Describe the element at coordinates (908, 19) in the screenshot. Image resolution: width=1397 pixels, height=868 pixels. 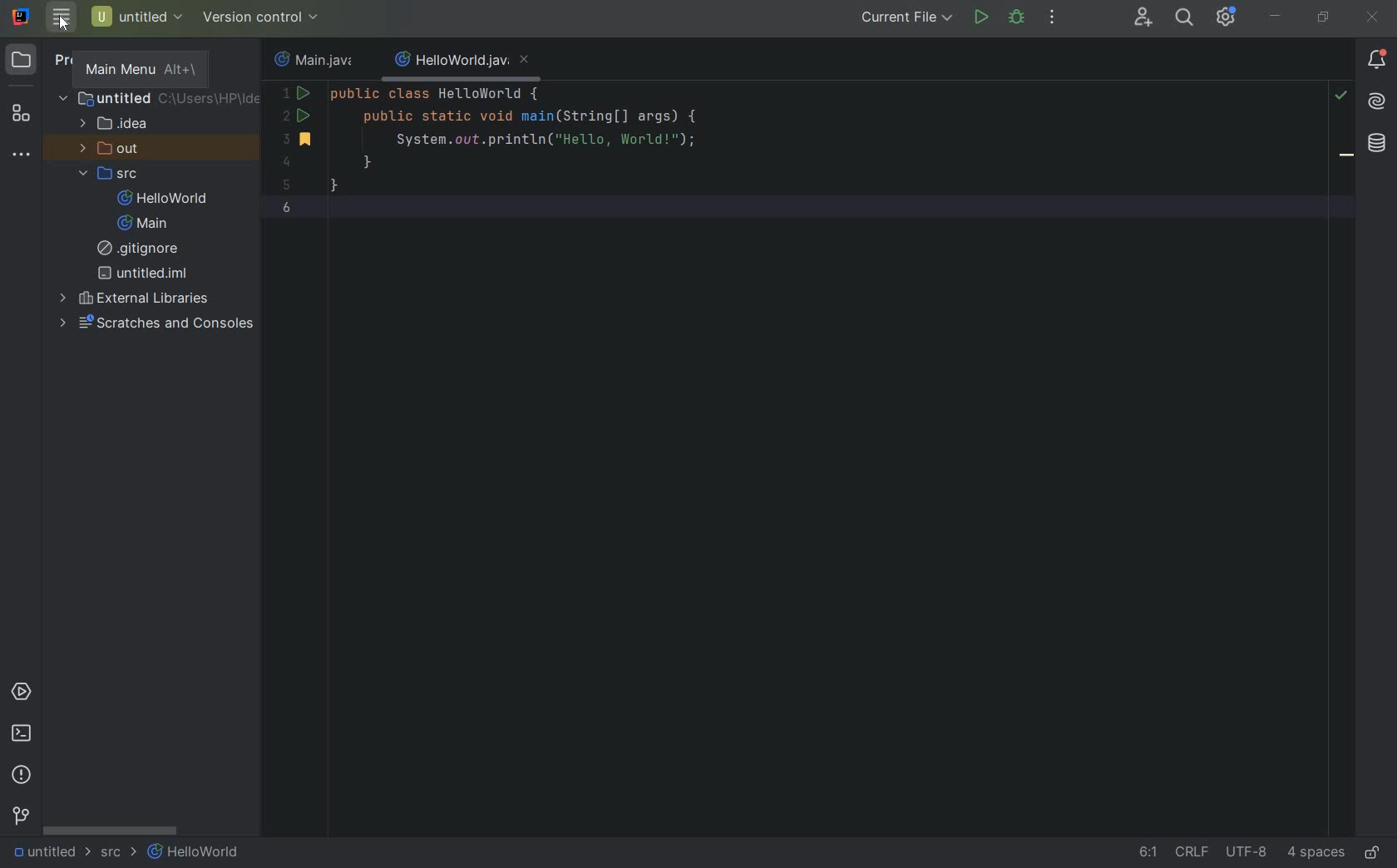
I see `run/debug configuration` at that location.